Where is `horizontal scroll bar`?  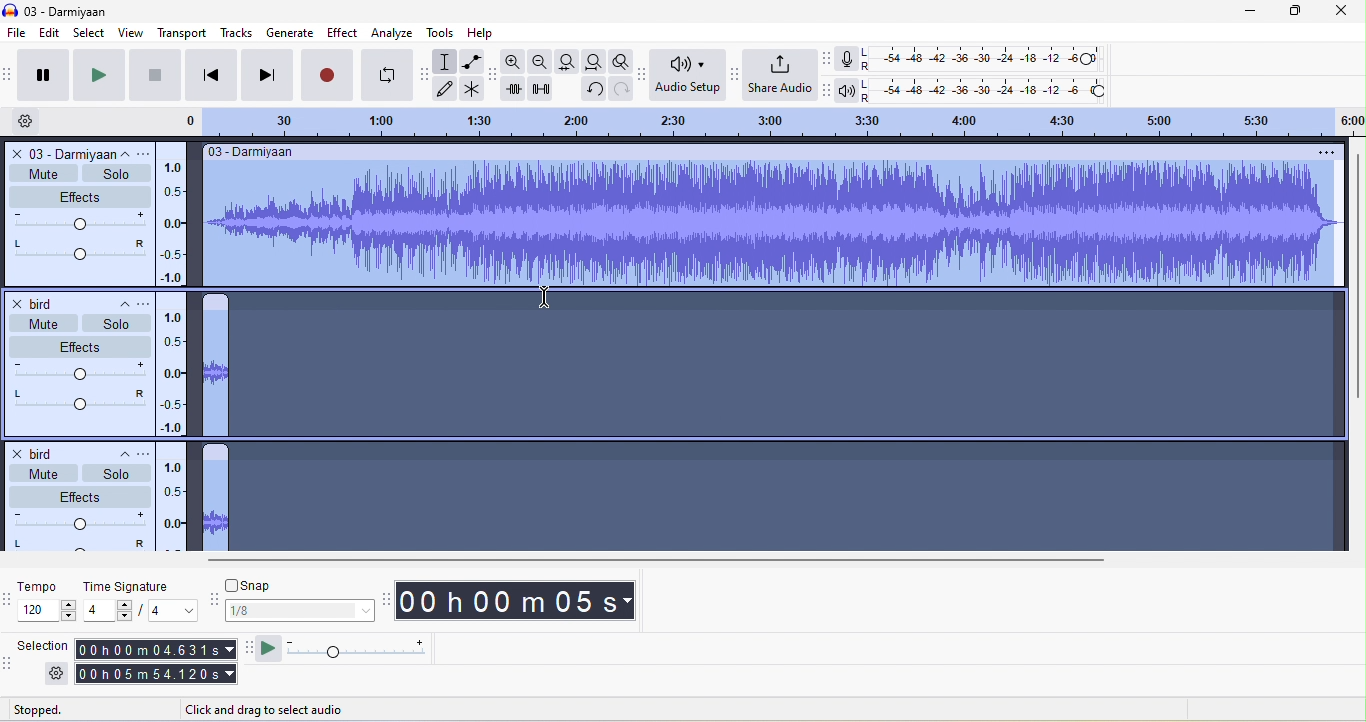 horizontal scroll bar is located at coordinates (656, 559).